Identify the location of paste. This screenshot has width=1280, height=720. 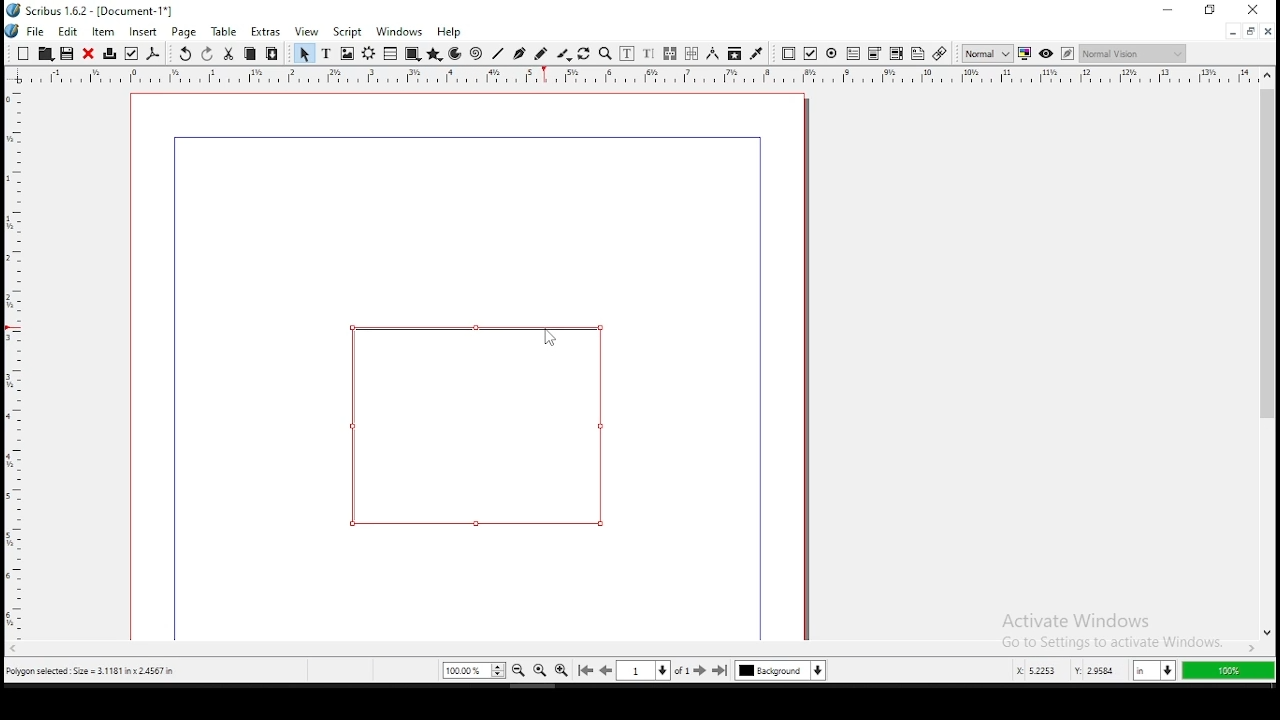
(271, 54).